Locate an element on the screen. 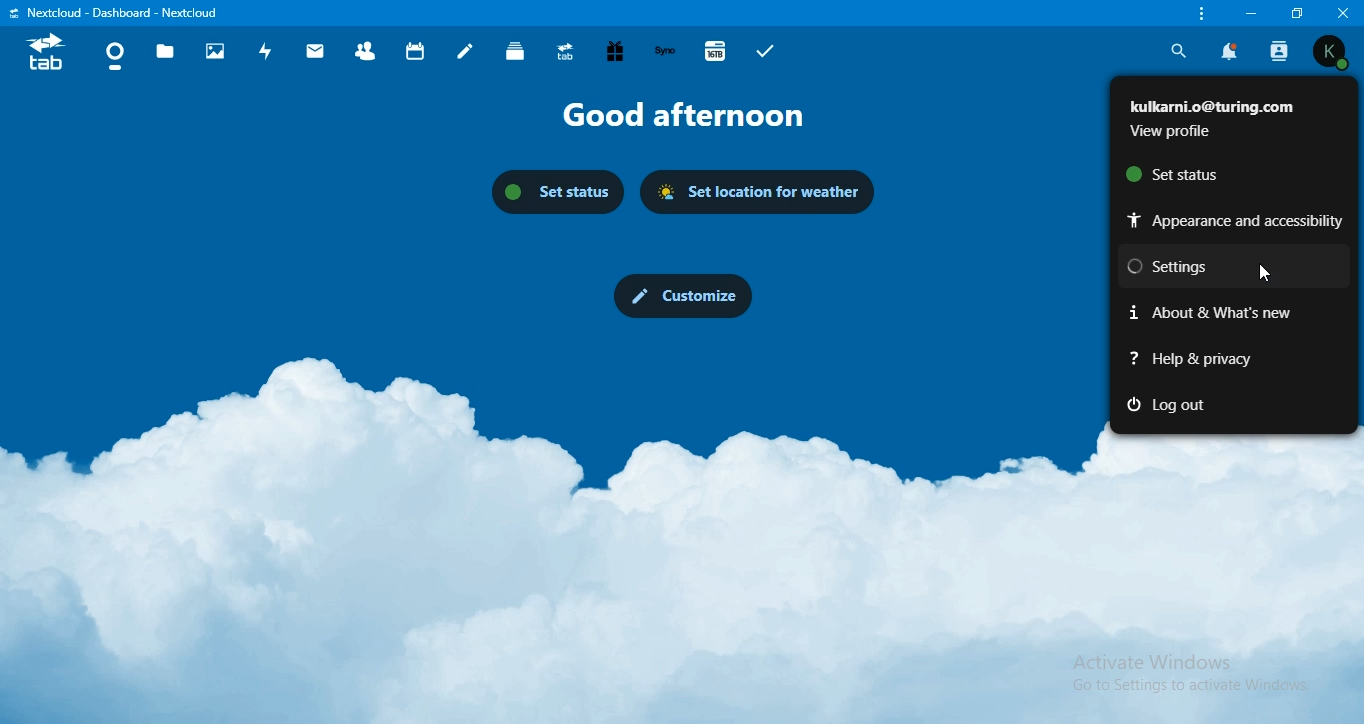 The image size is (1364, 724). view profile is located at coordinates (1331, 52).